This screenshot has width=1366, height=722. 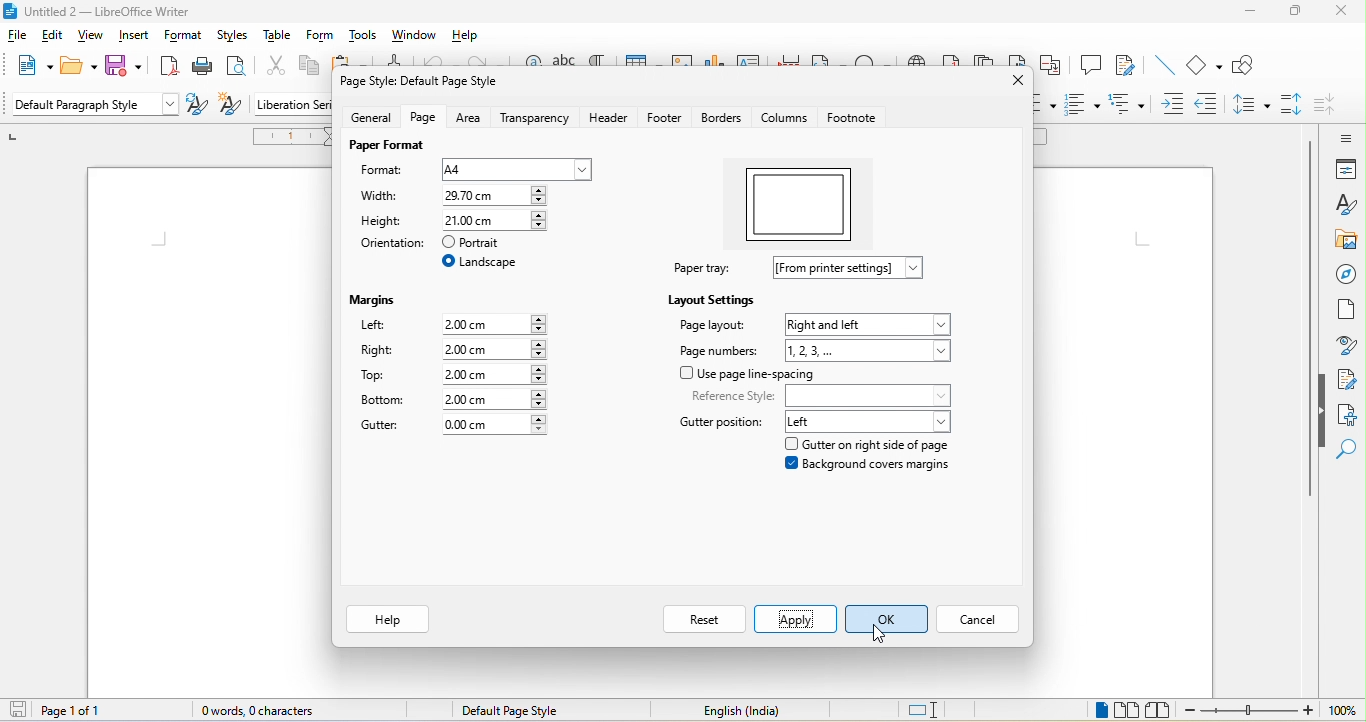 What do you see at coordinates (426, 79) in the screenshot?
I see `page style default` at bounding box center [426, 79].